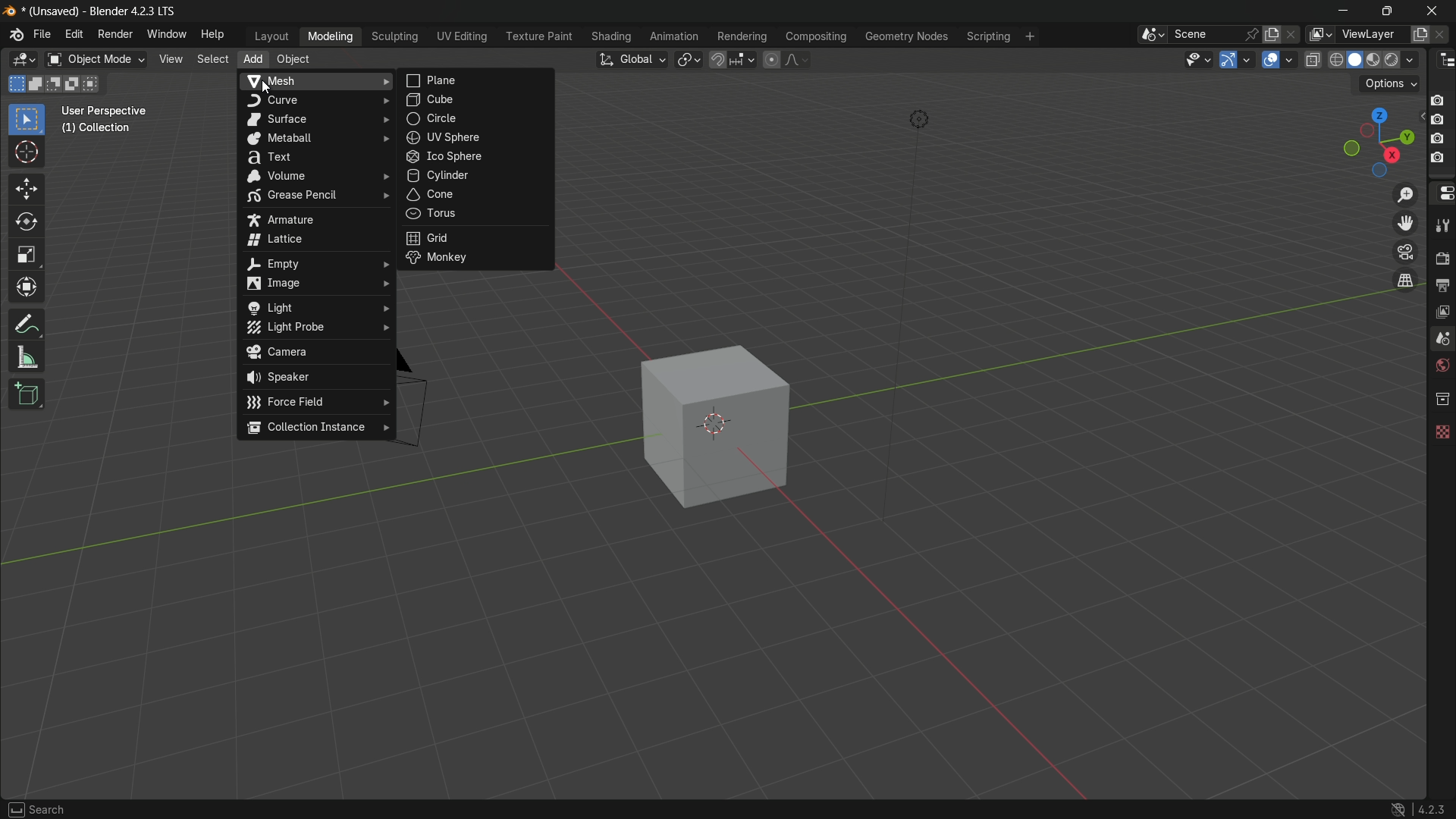 The height and width of the screenshot is (819, 1456). I want to click on toggle x ray, so click(1311, 59).